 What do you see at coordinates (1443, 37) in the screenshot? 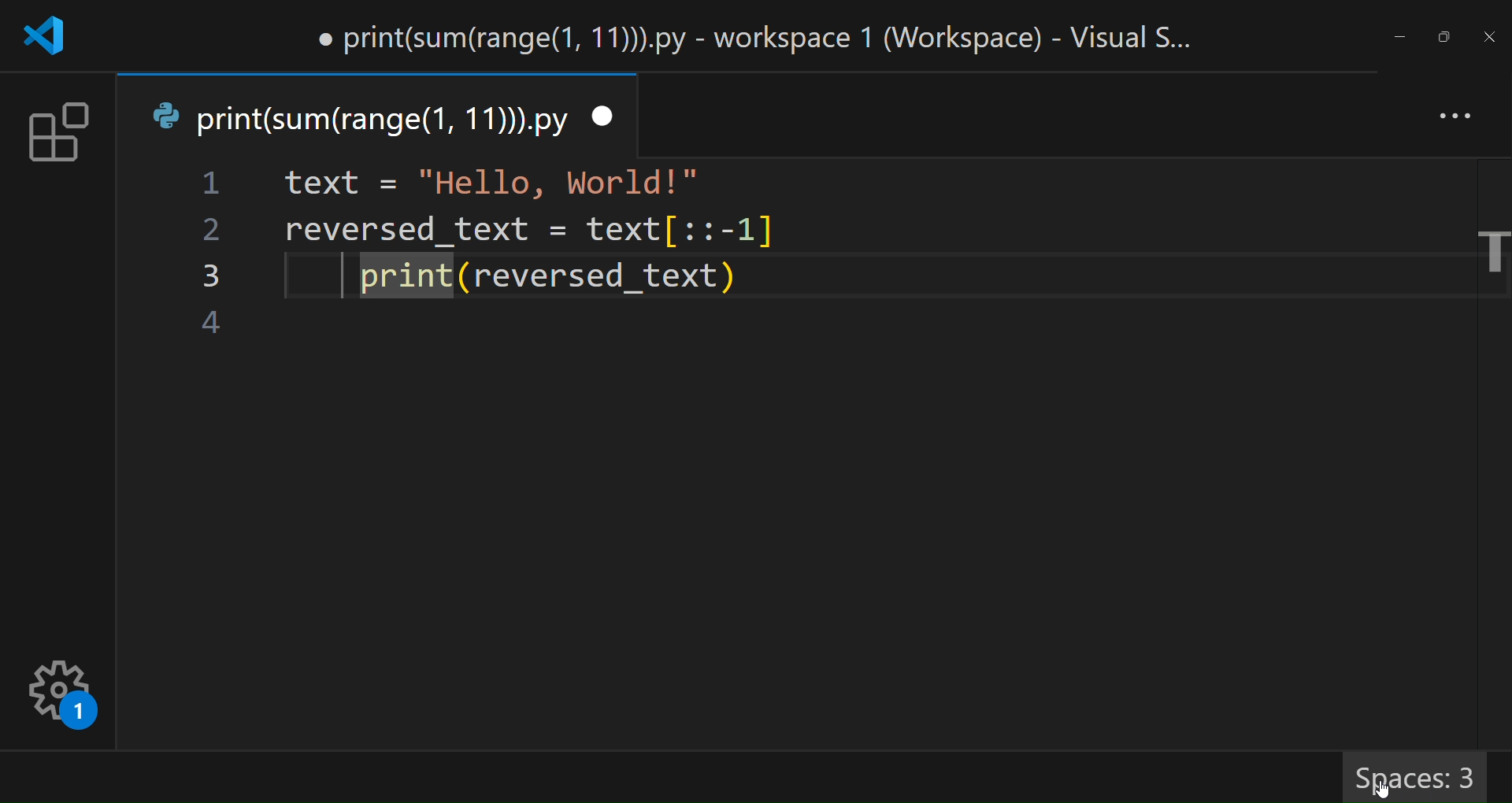
I see `maximize` at bounding box center [1443, 37].